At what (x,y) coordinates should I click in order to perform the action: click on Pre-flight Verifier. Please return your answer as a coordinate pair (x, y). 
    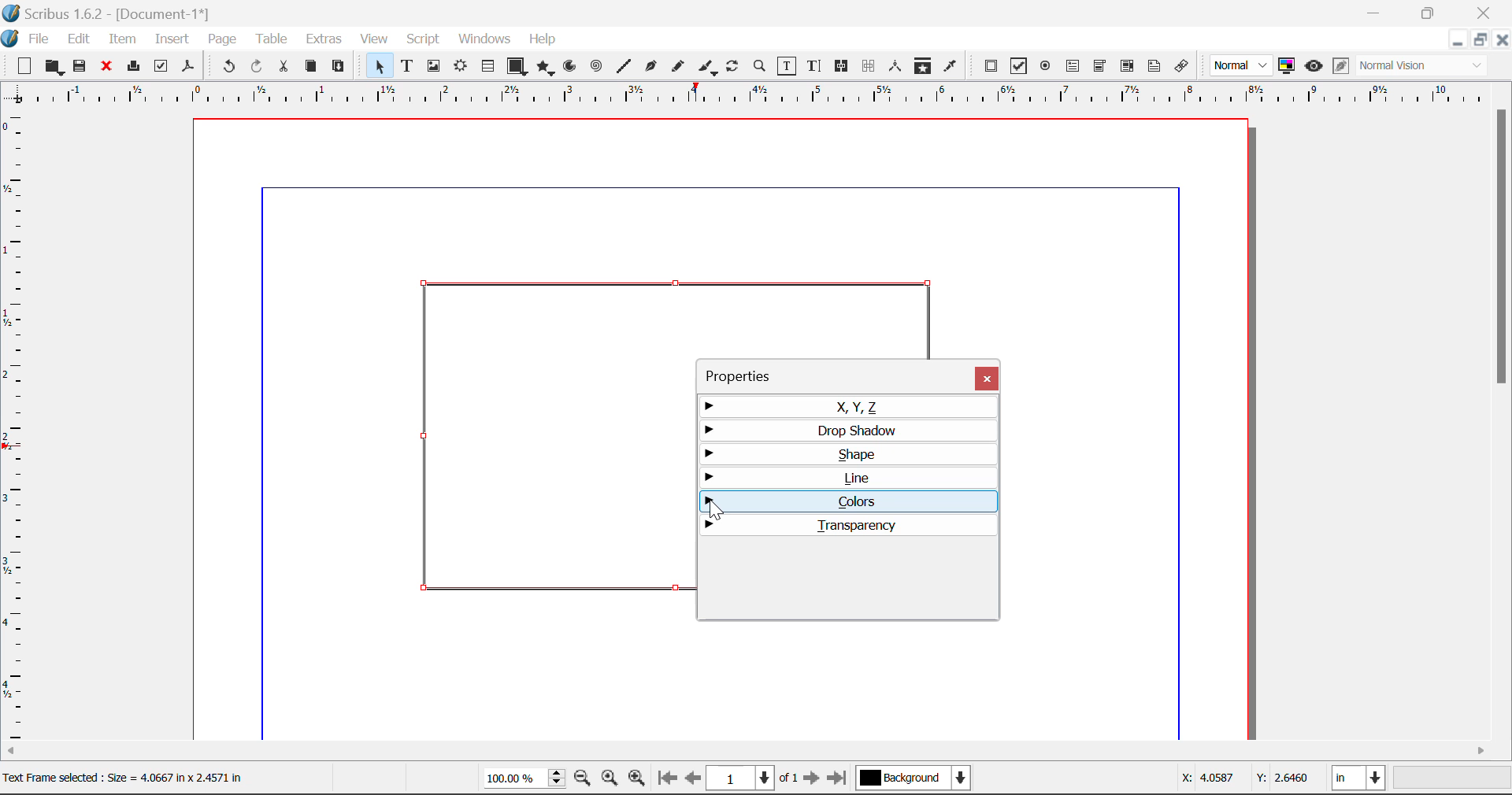
    Looking at the image, I should click on (161, 66).